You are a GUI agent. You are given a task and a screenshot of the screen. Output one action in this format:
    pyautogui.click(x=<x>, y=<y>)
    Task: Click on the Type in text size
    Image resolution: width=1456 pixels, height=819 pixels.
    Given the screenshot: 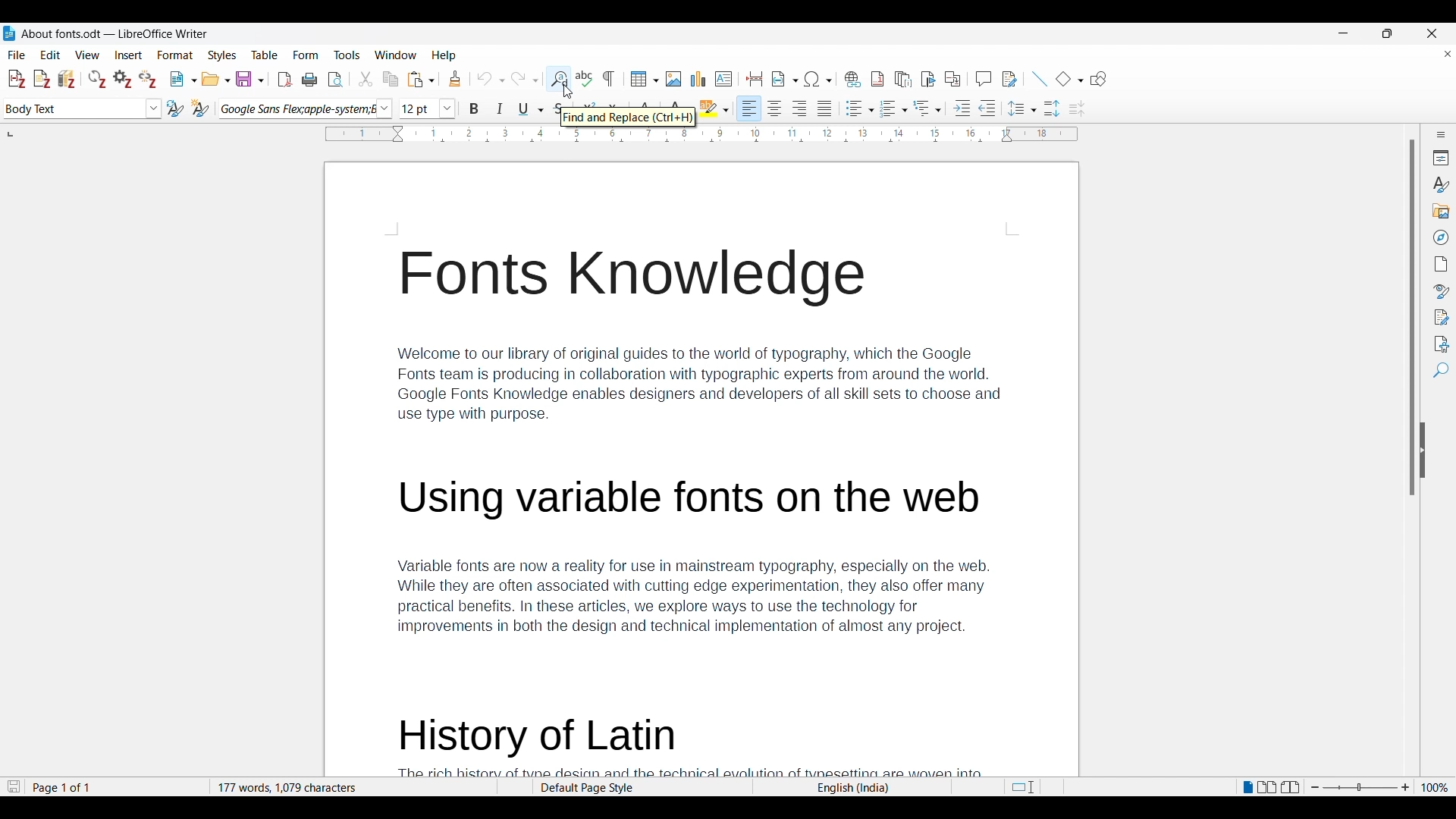 What is the action you would take?
    pyautogui.click(x=419, y=109)
    